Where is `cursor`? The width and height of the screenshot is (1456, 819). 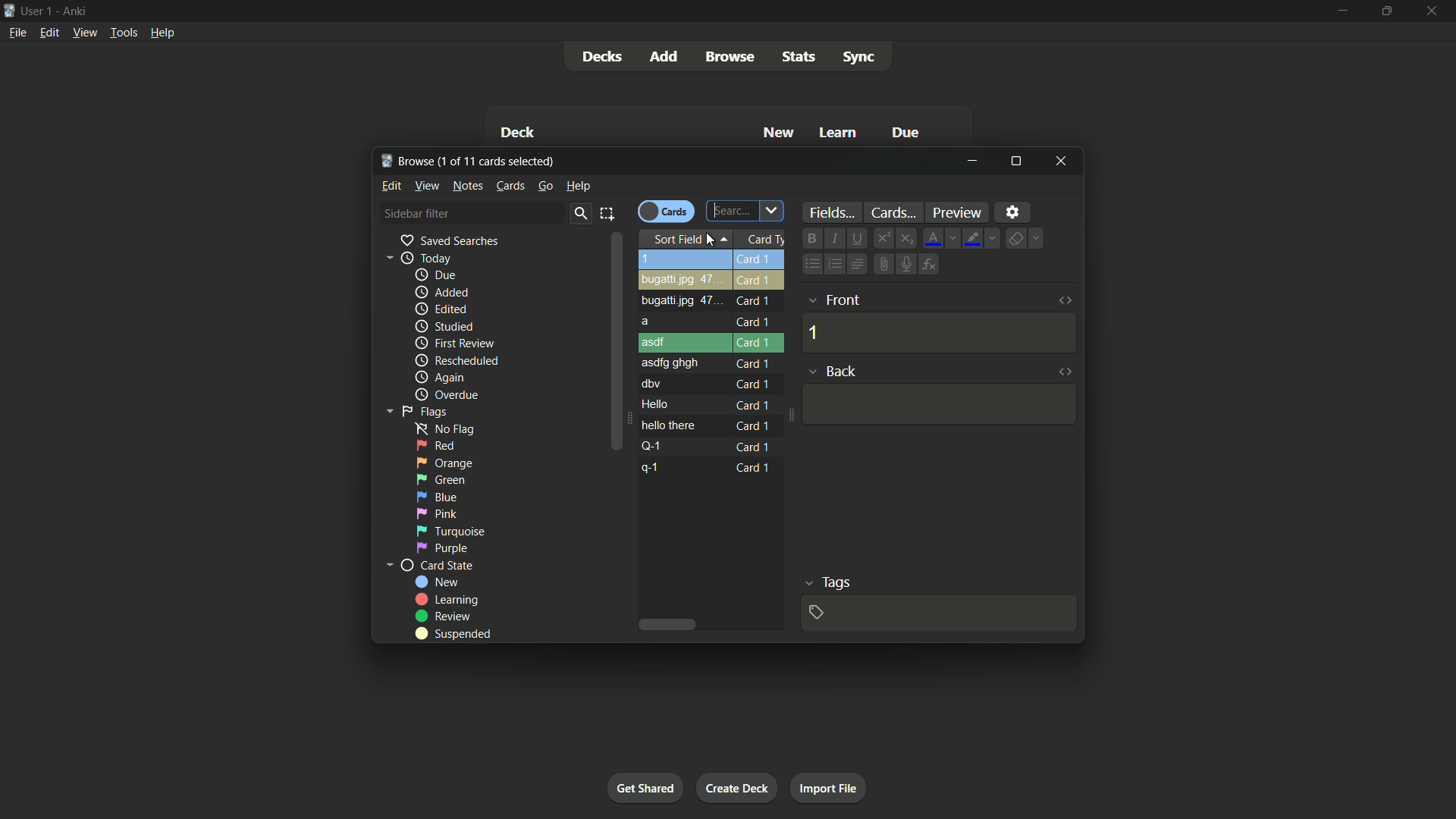 cursor is located at coordinates (715, 240).